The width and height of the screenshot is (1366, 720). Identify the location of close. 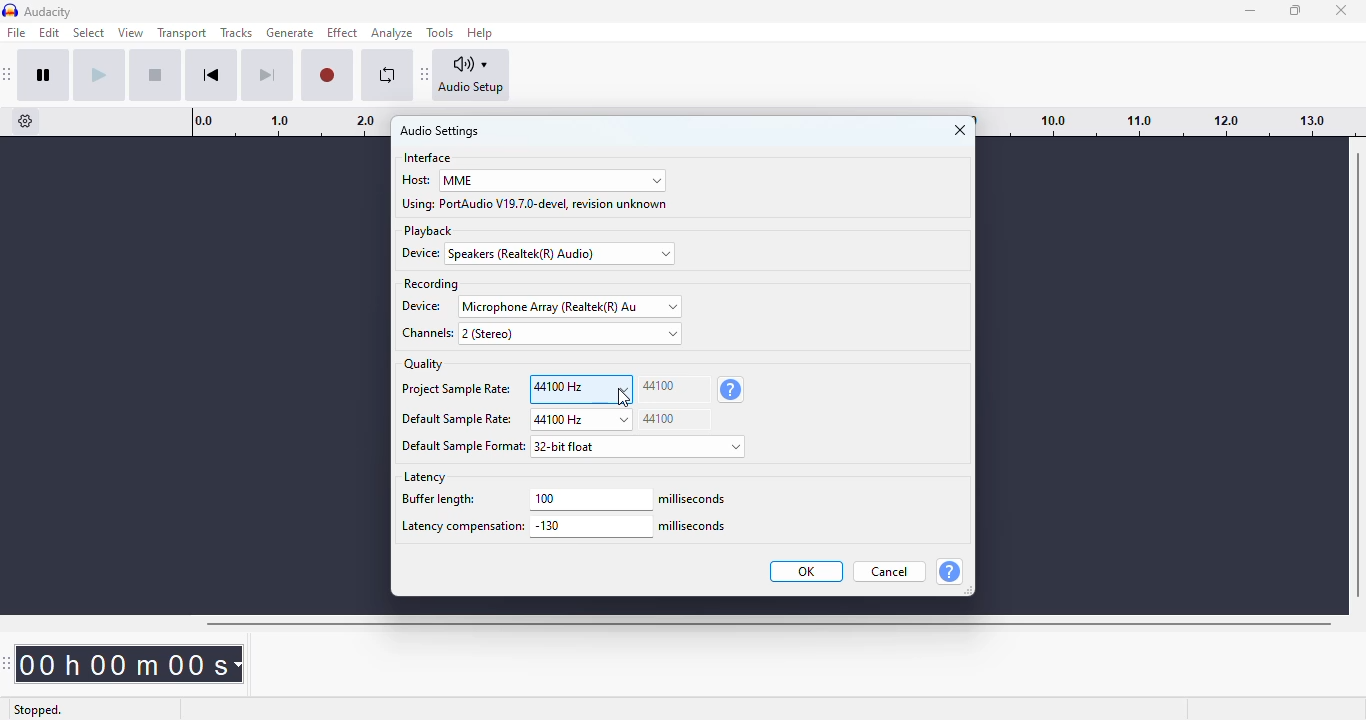
(1342, 10).